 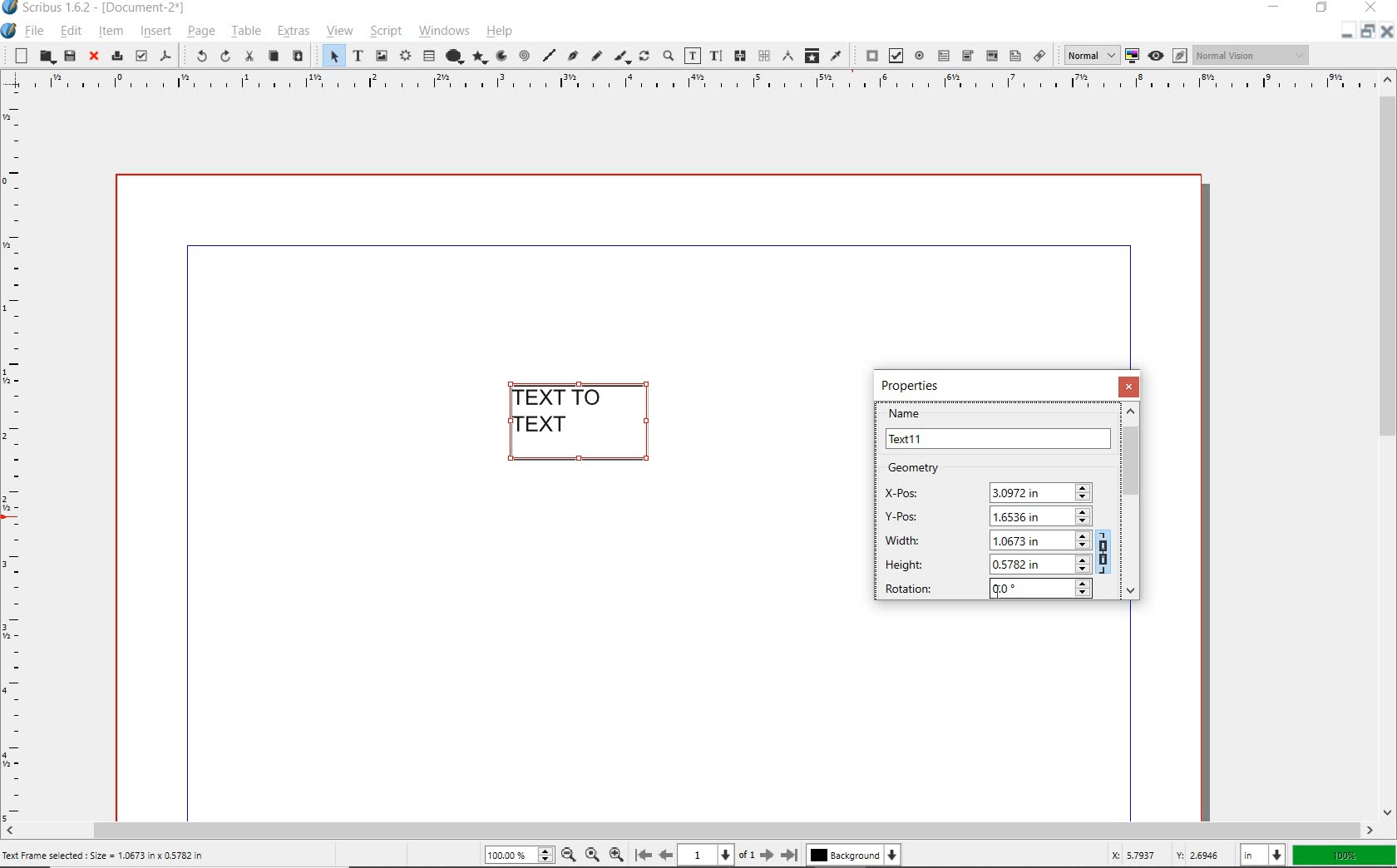 What do you see at coordinates (572, 55) in the screenshot?
I see `Bezier curve` at bounding box center [572, 55].